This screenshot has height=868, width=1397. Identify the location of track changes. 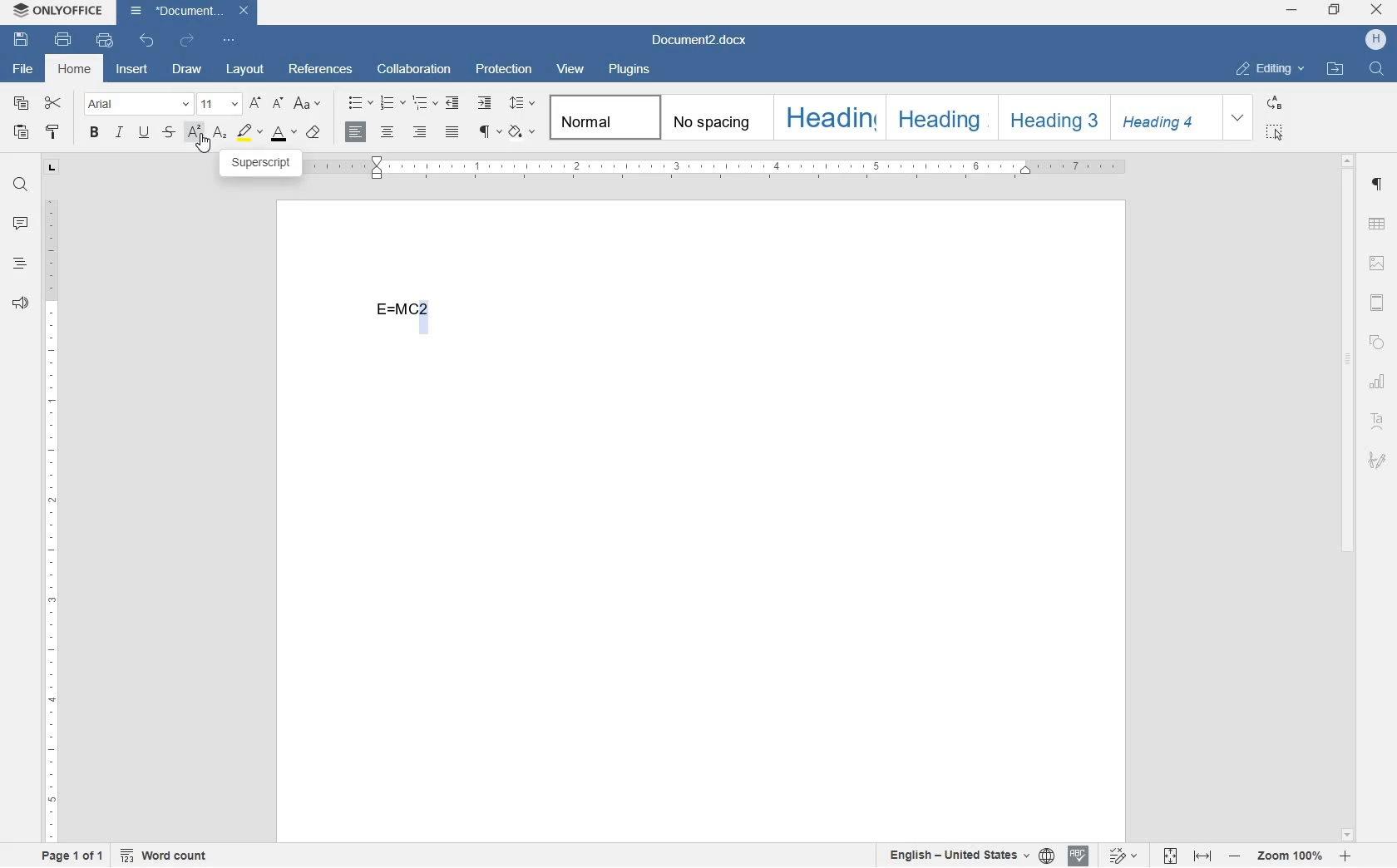
(1124, 856).